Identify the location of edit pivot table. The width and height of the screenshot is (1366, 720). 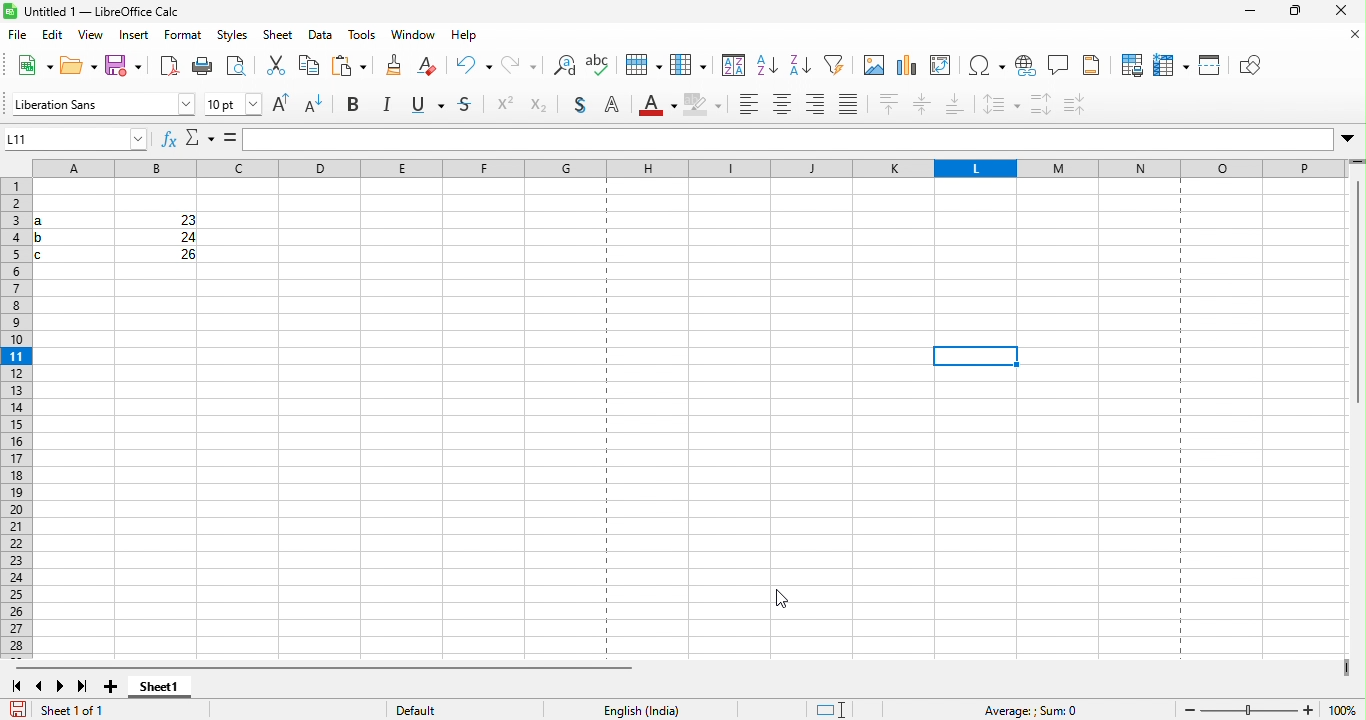
(946, 66).